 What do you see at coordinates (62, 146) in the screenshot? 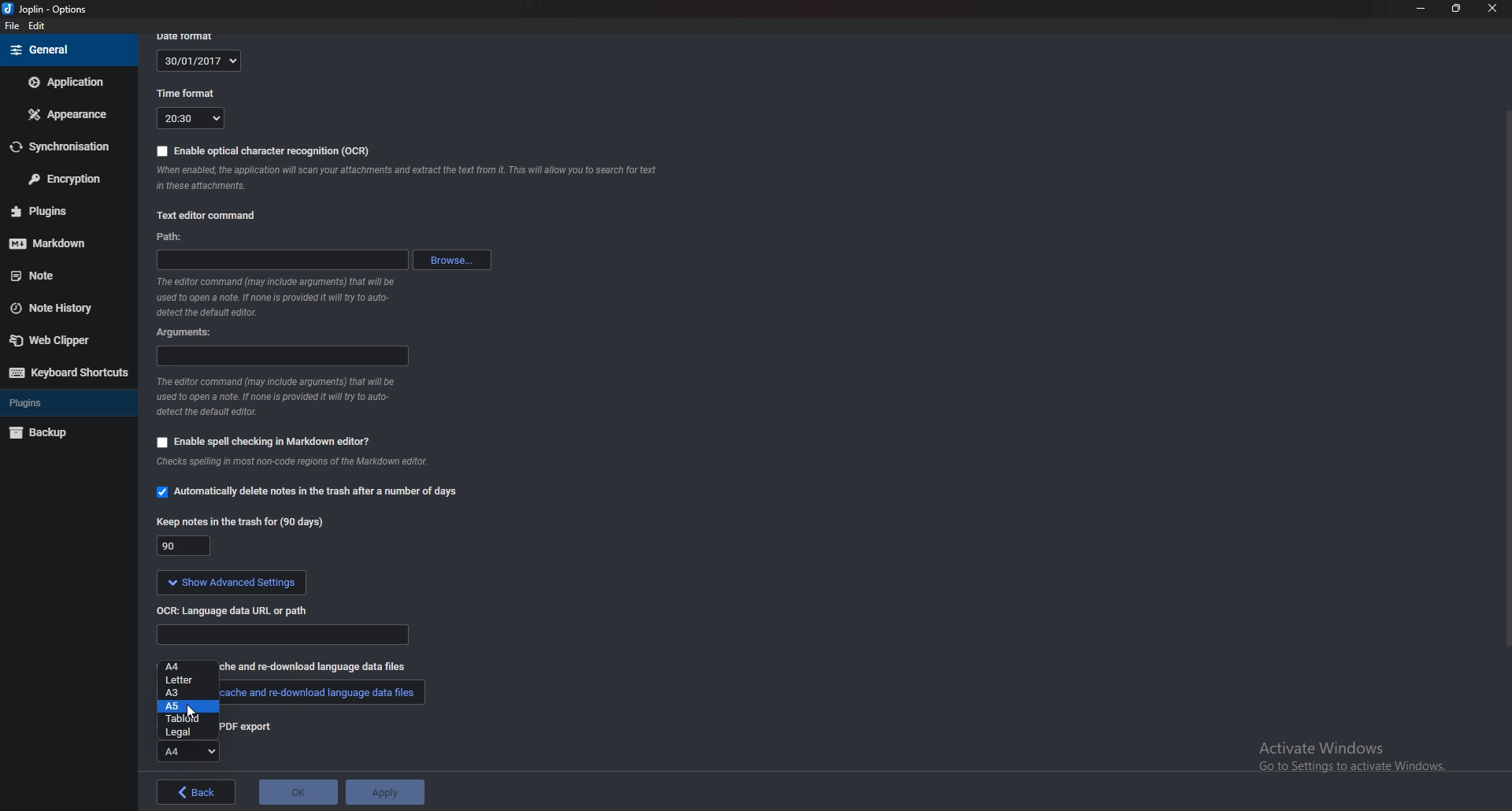
I see `Synchronization` at bounding box center [62, 146].